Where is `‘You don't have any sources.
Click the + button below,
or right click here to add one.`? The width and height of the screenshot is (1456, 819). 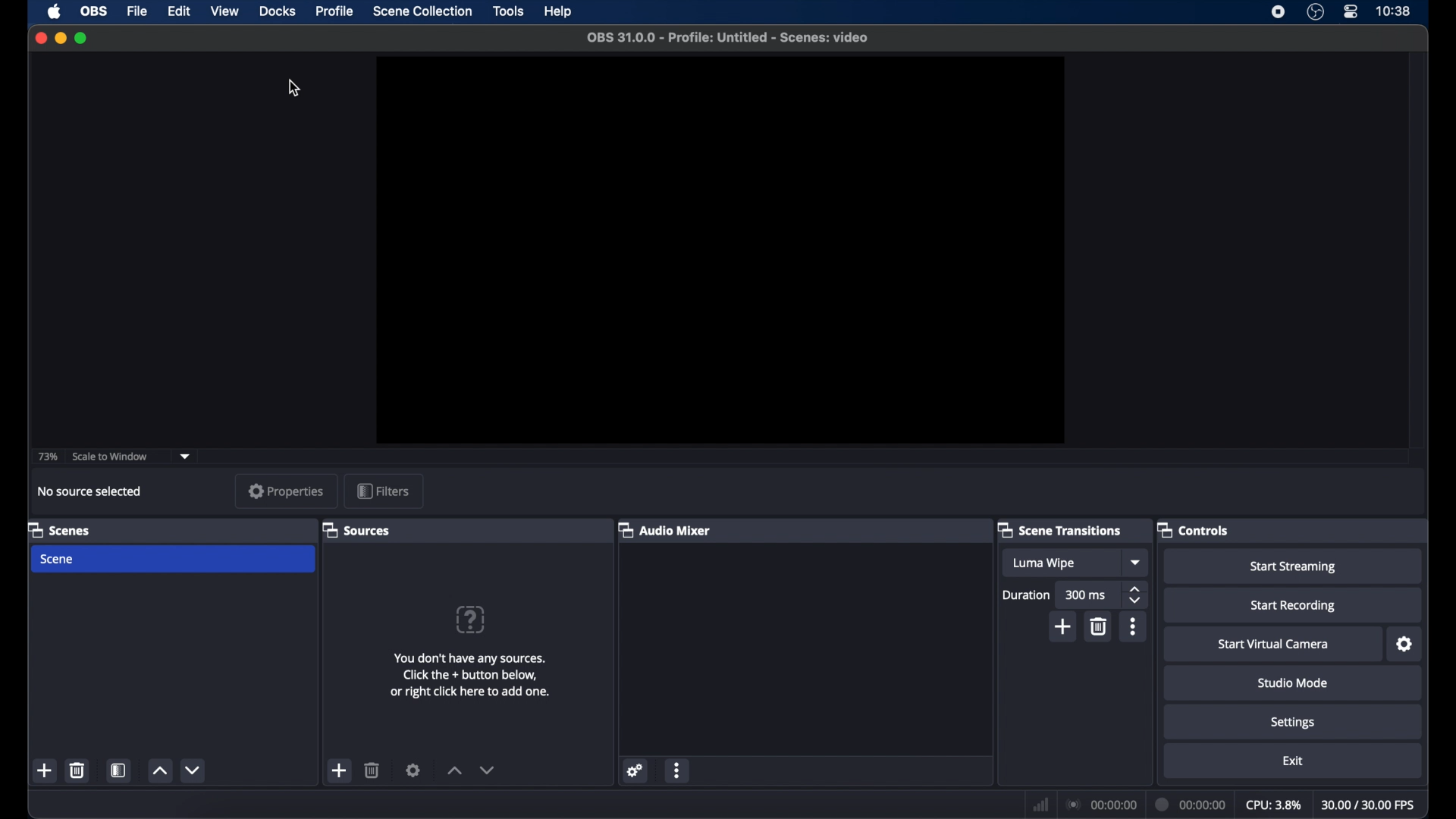
‘You don't have any sources.
Click the + button below,
or right click here to add one. is located at coordinates (473, 672).